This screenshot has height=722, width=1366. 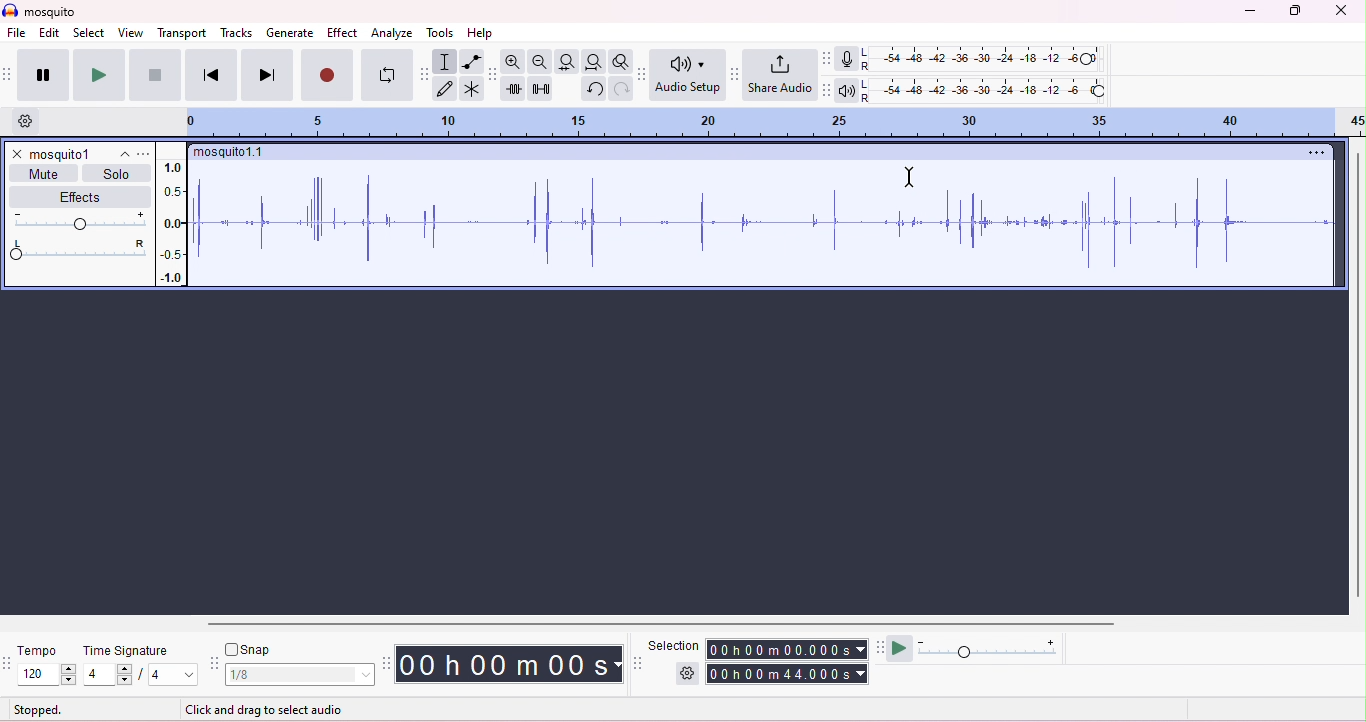 What do you see at coordinates (9, 661) in the screenshot?
I see `tempo tool bar` at bounding box center [9, 661].